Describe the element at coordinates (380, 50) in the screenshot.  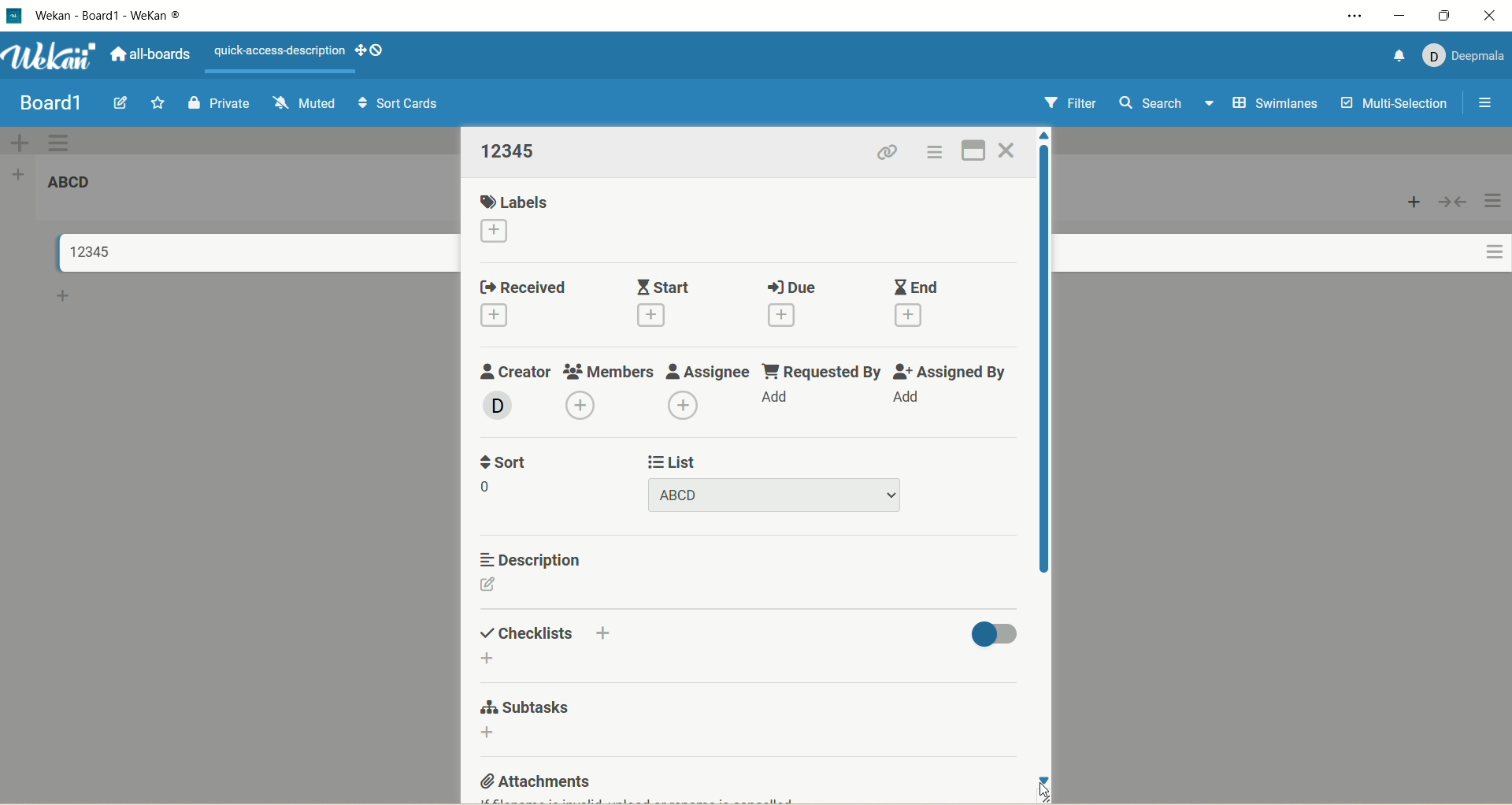
I see `show-desktop-drag-handles` at that location.